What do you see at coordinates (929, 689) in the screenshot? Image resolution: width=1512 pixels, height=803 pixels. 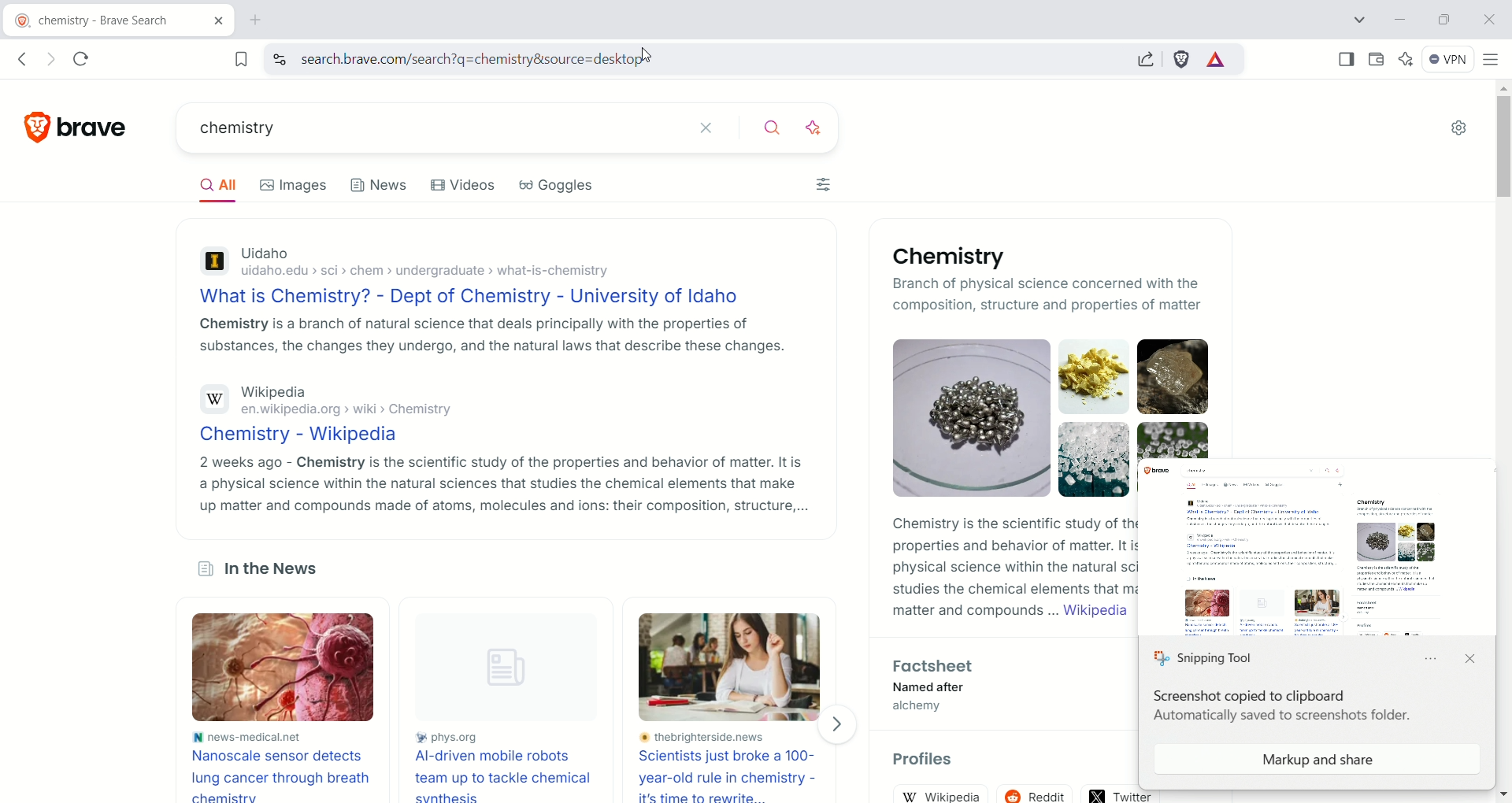 I see `Factsheet— Named after- alchemy` at bounding box center [929, 689].